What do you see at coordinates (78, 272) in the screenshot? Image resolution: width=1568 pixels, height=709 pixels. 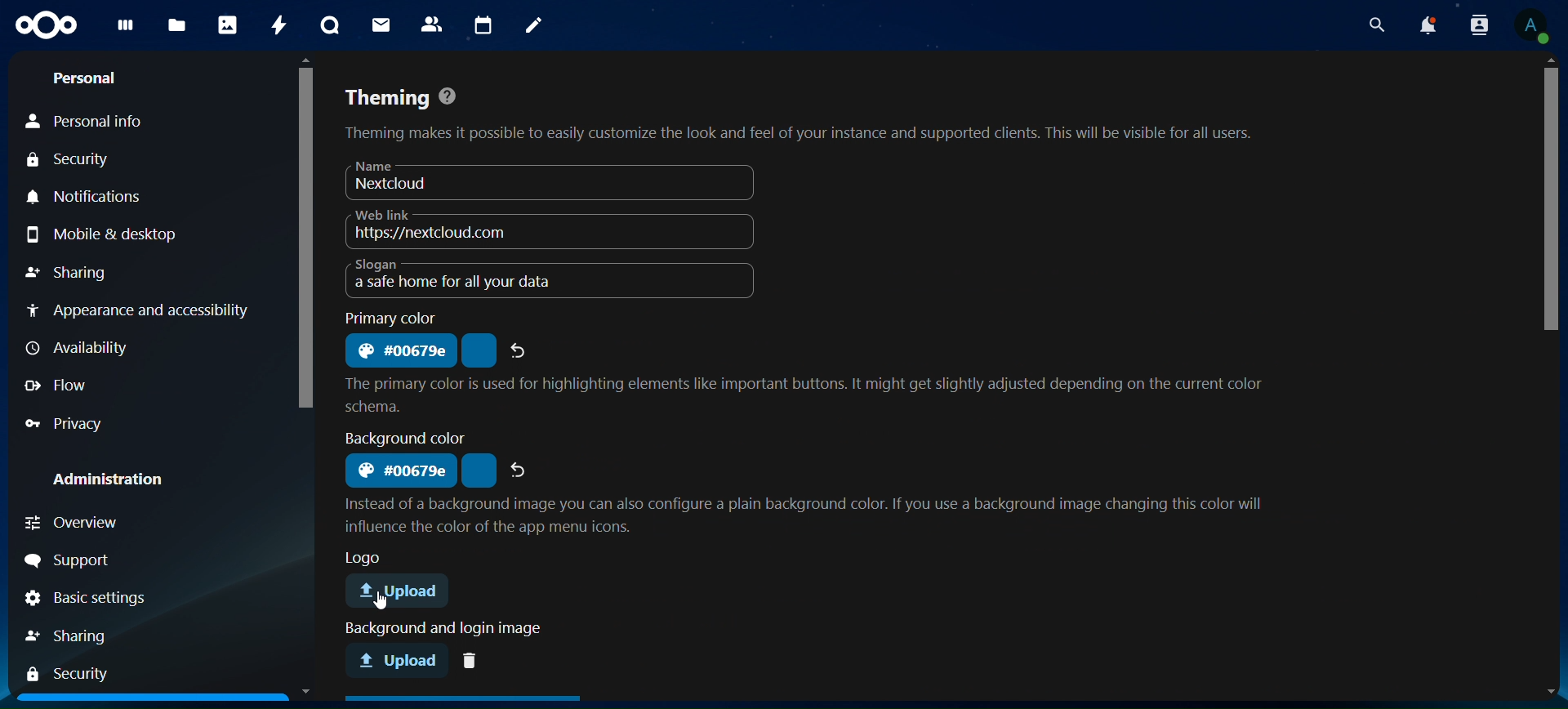 I see `sharing` at bounding box center [78, 272].